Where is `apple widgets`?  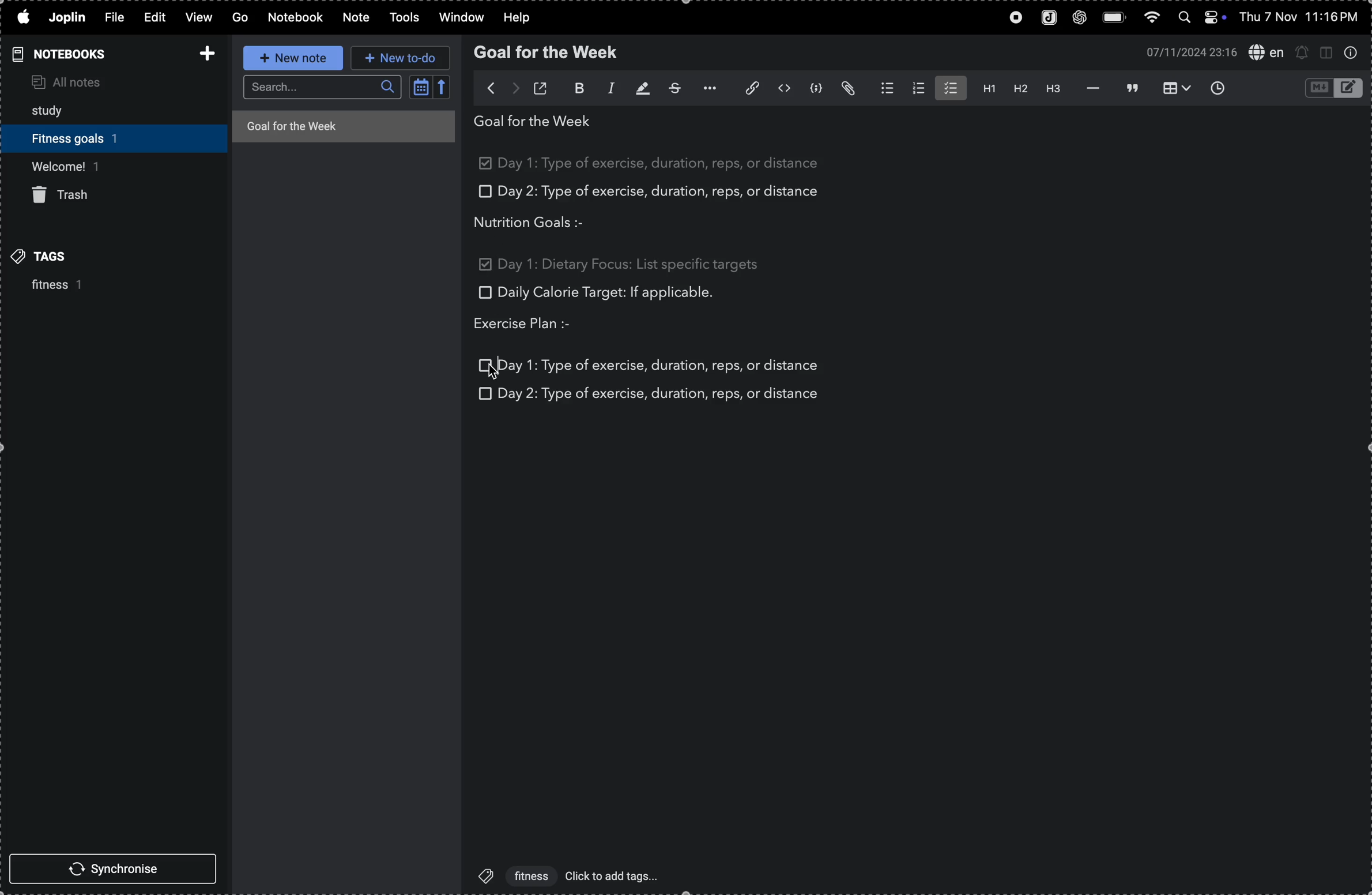
apple widgets is located at coordinates (1205, 17).